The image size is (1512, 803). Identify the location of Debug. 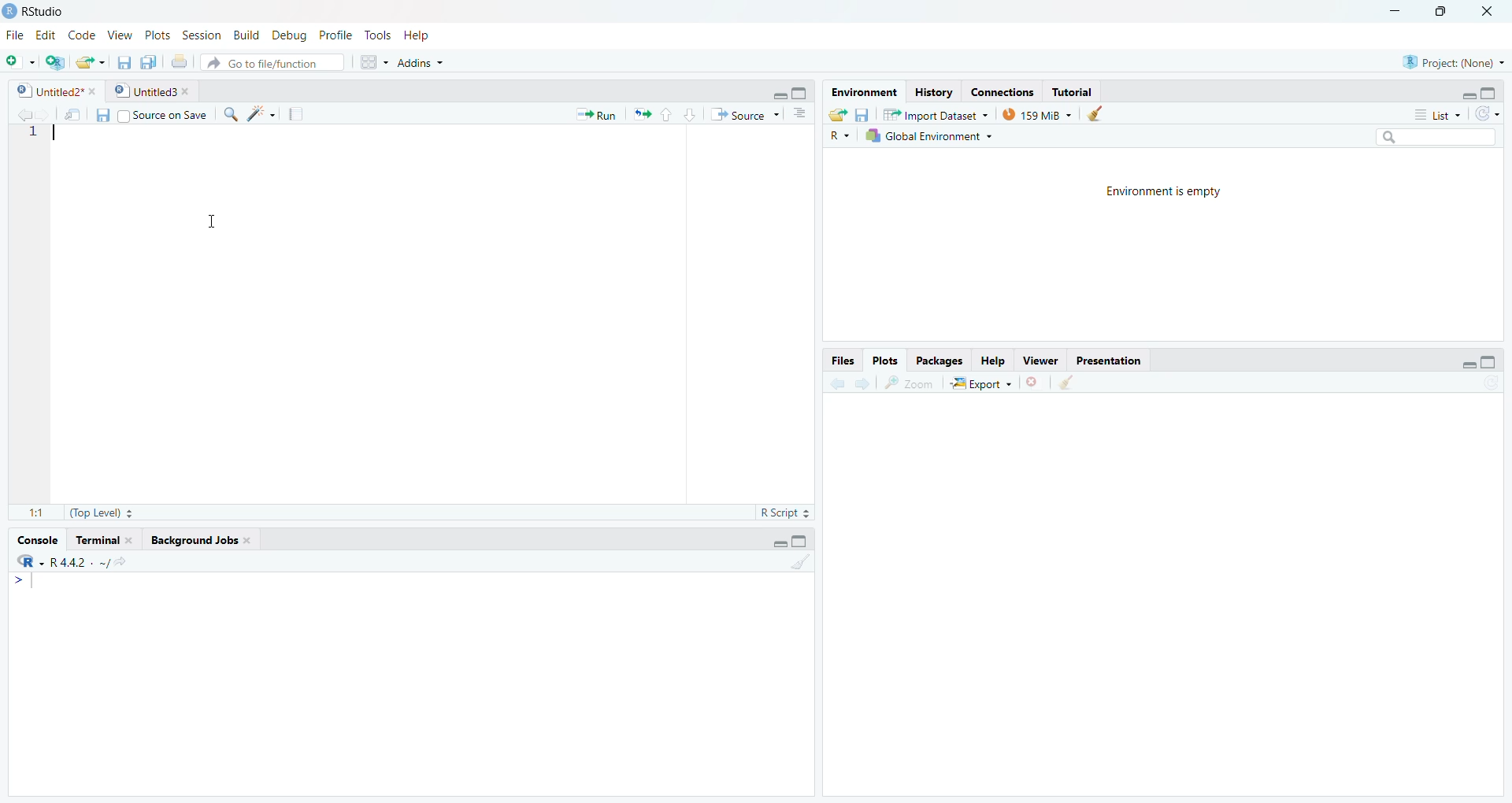
(288, 37).